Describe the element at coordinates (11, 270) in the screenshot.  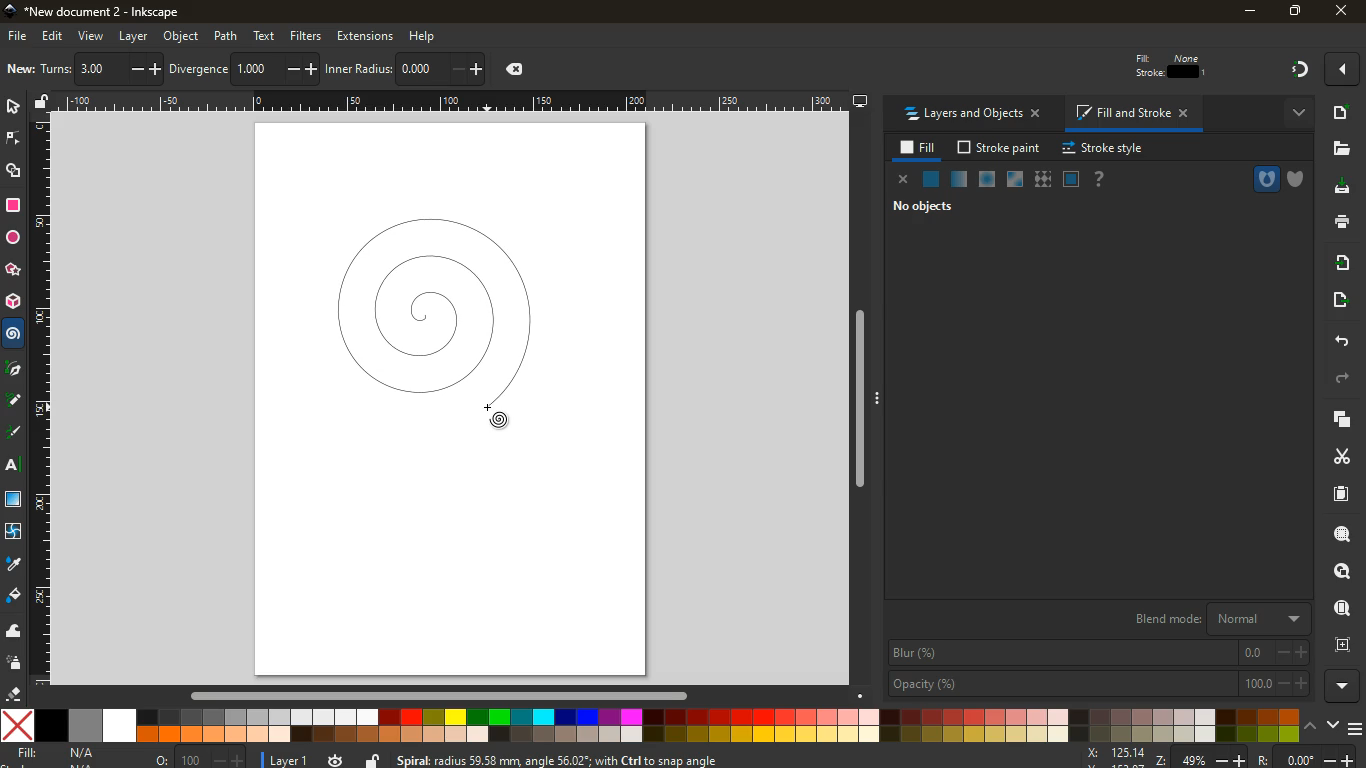
I see `star` at that location.